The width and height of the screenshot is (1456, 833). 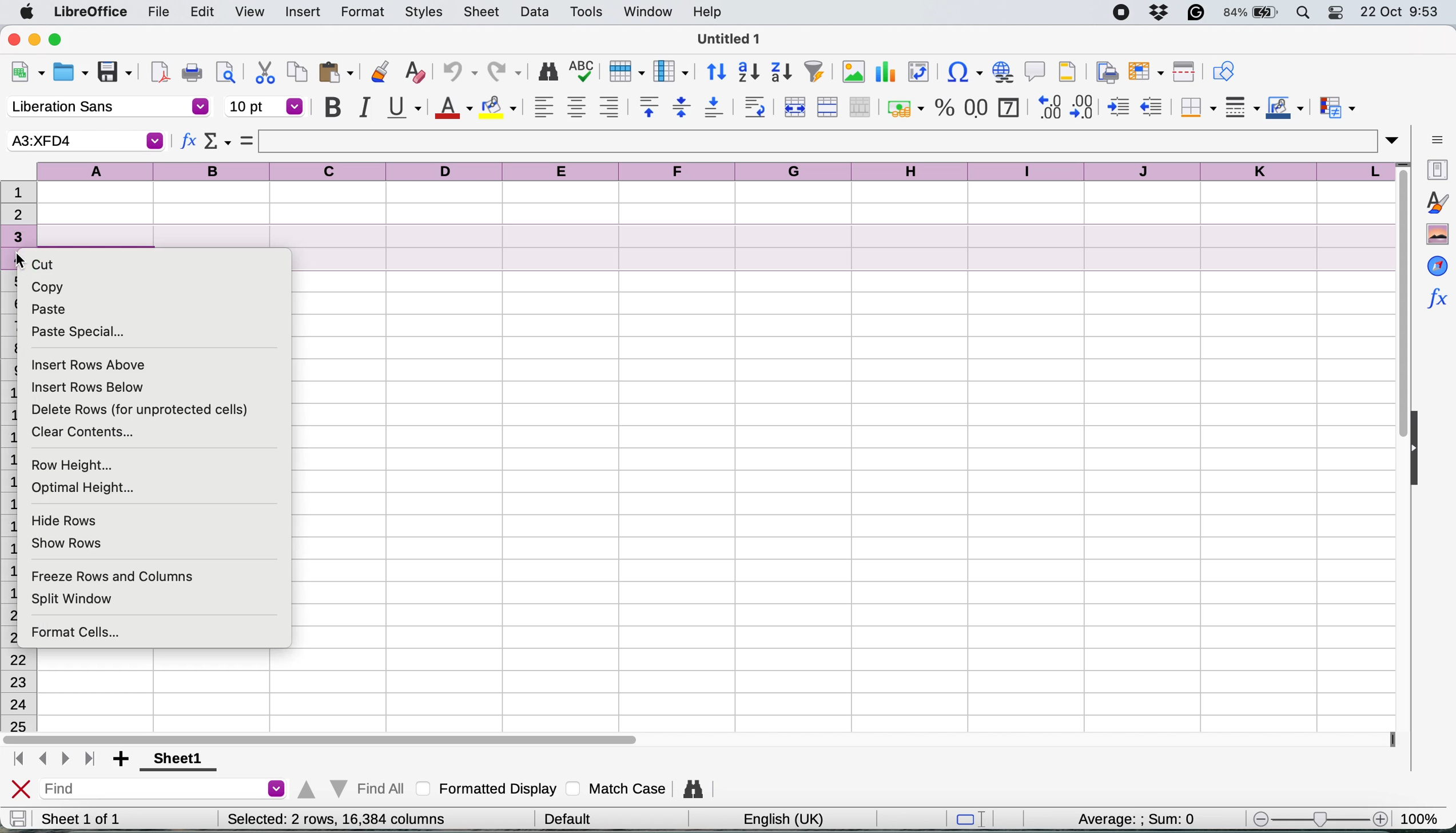 I want to click on tools, so click(x=590, y=11).